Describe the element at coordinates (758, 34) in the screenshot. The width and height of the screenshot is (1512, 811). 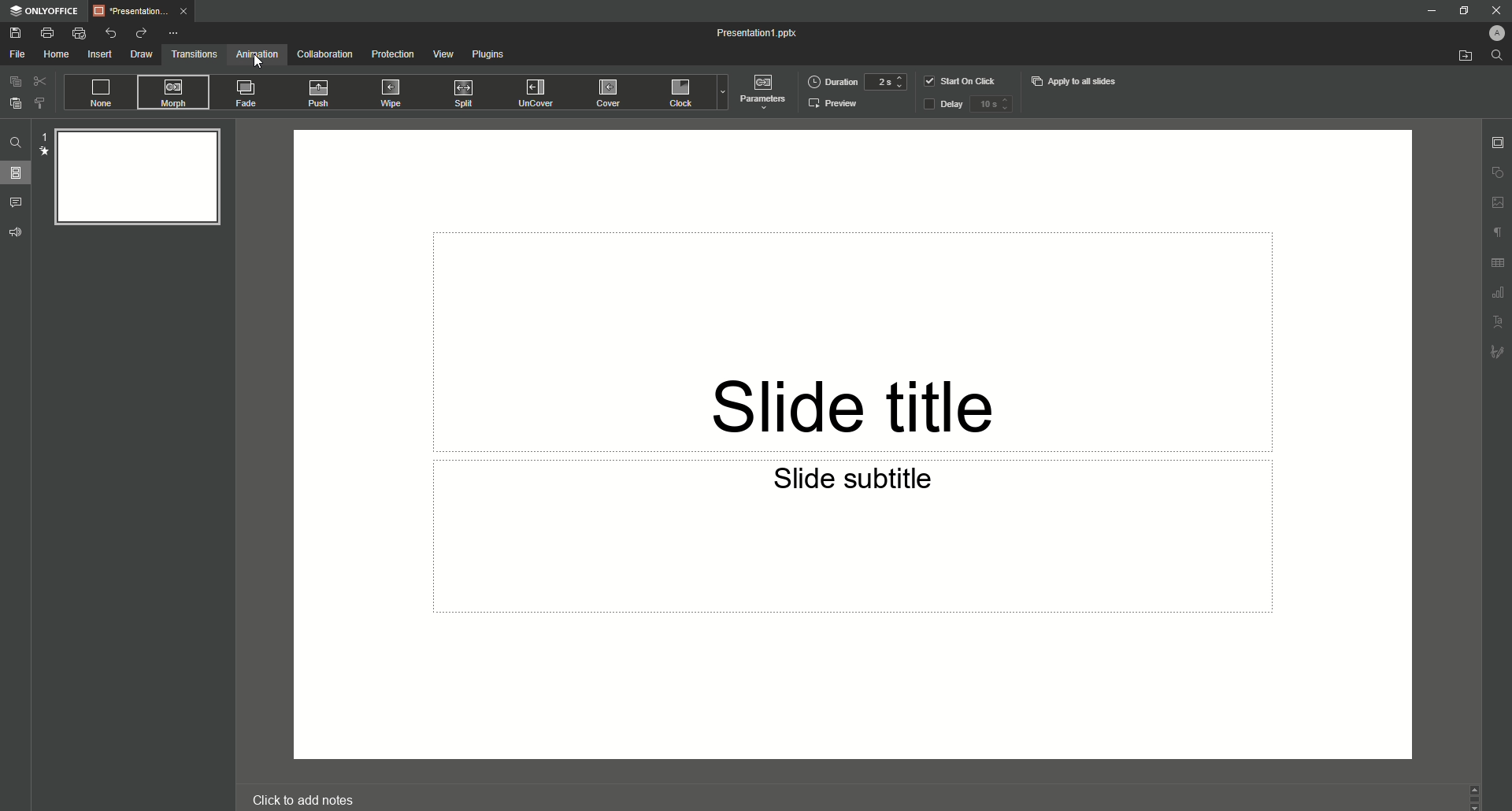
I see `Presentation 1` at that location.